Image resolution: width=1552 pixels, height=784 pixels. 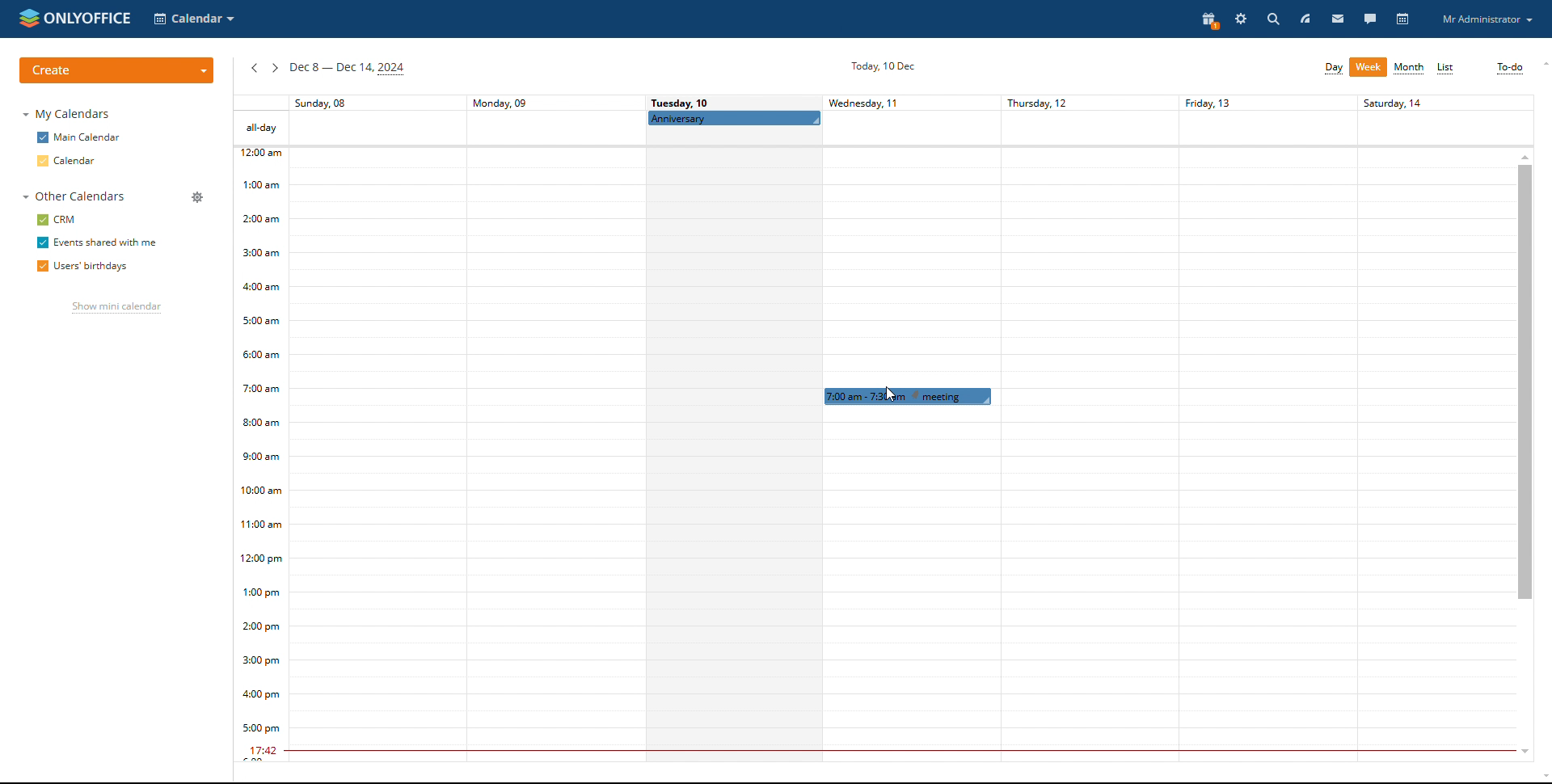 I want to click on scheduled all-day event, so click(x=735, y=118).